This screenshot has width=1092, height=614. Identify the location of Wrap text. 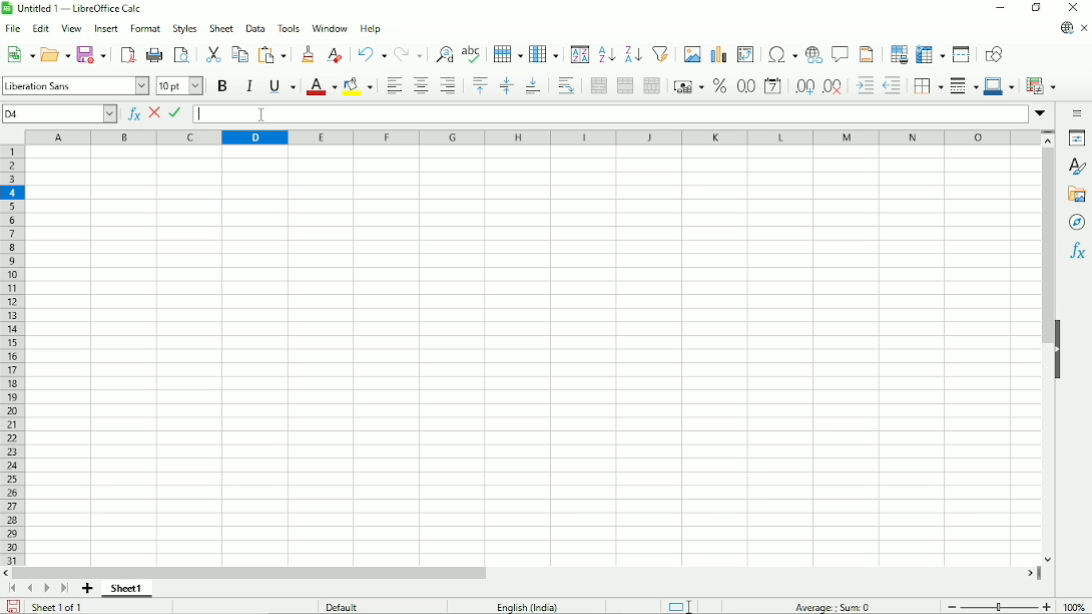
(567, 86).